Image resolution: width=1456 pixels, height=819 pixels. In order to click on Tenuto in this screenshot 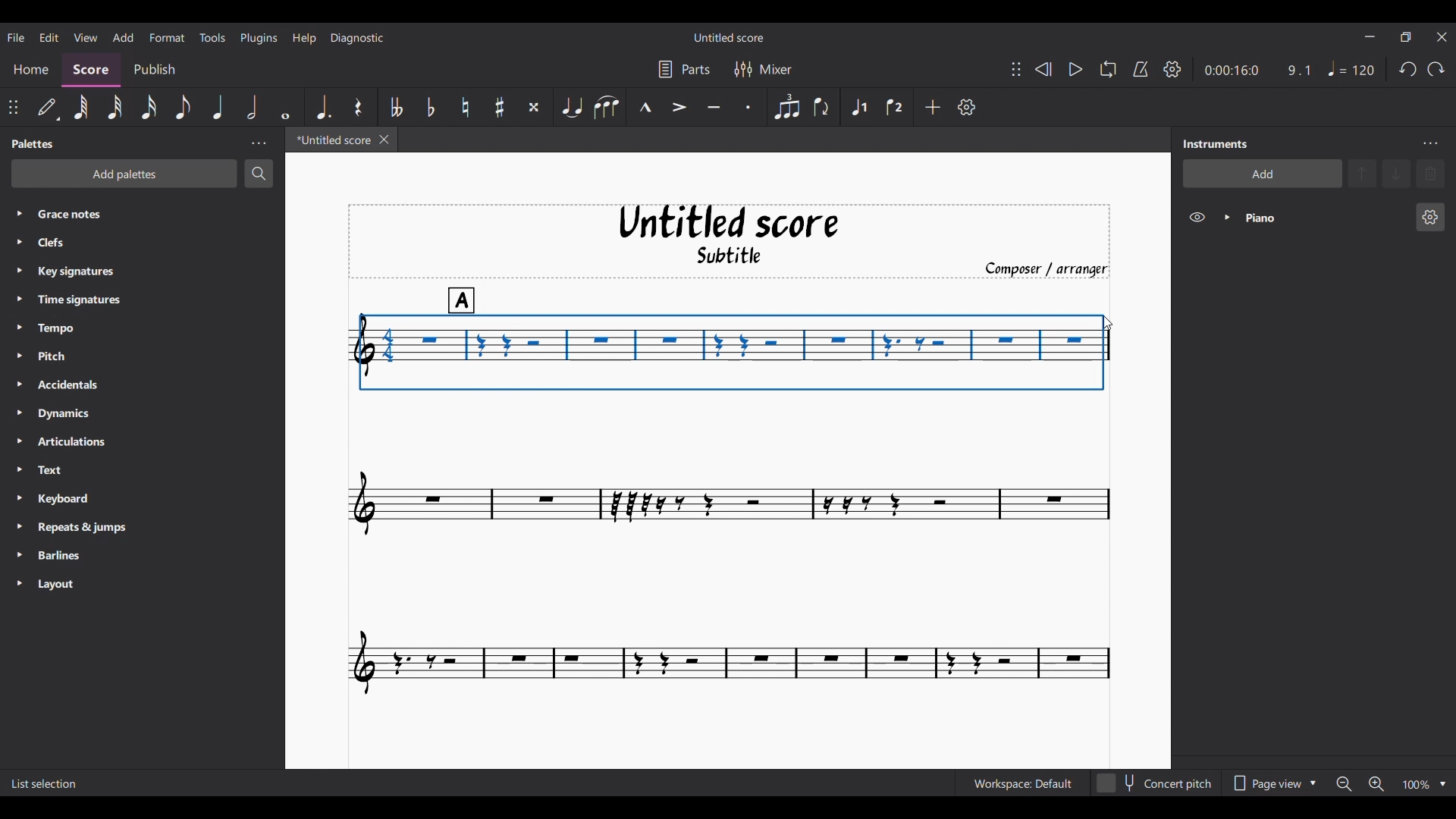, I will do `click(714, 106)`.